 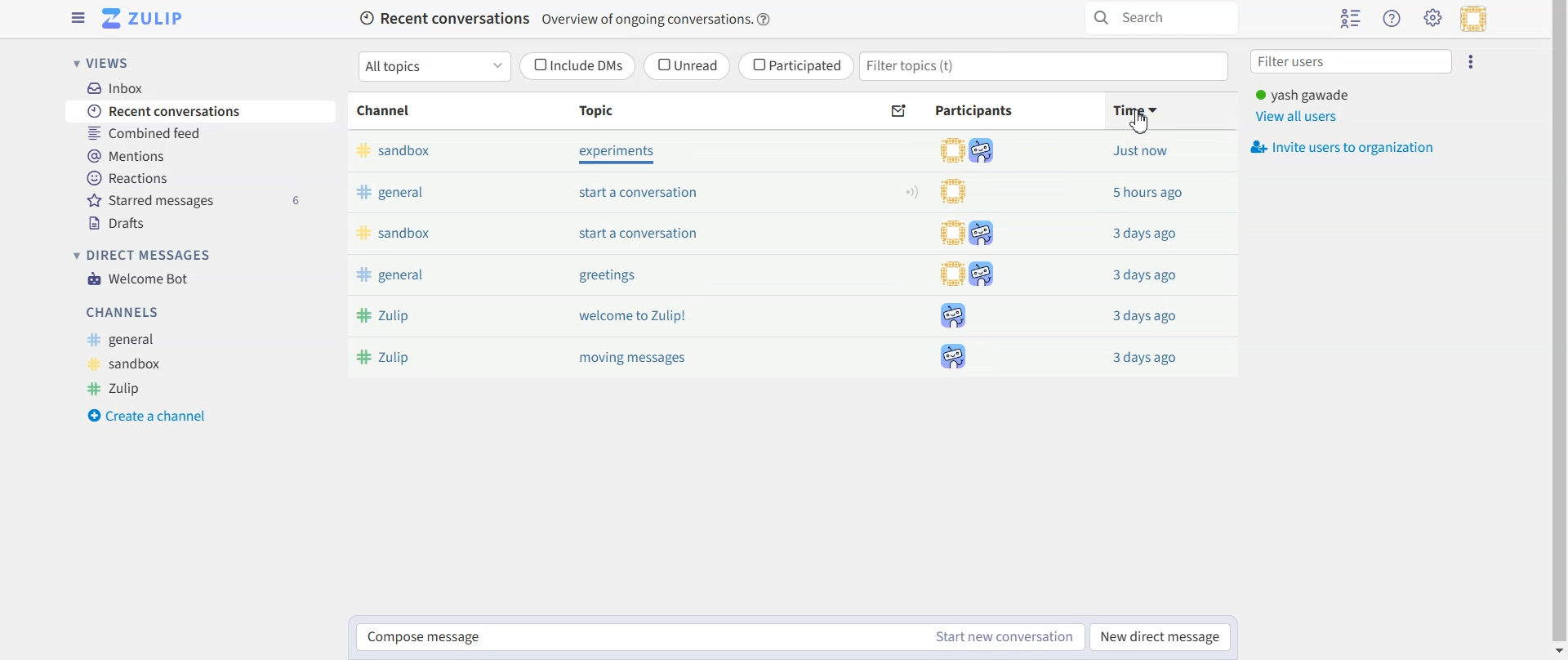 What do you see at coordinates (118, 389) in the screenshot?
I see `Zulip` at bounding box center [118, 389].